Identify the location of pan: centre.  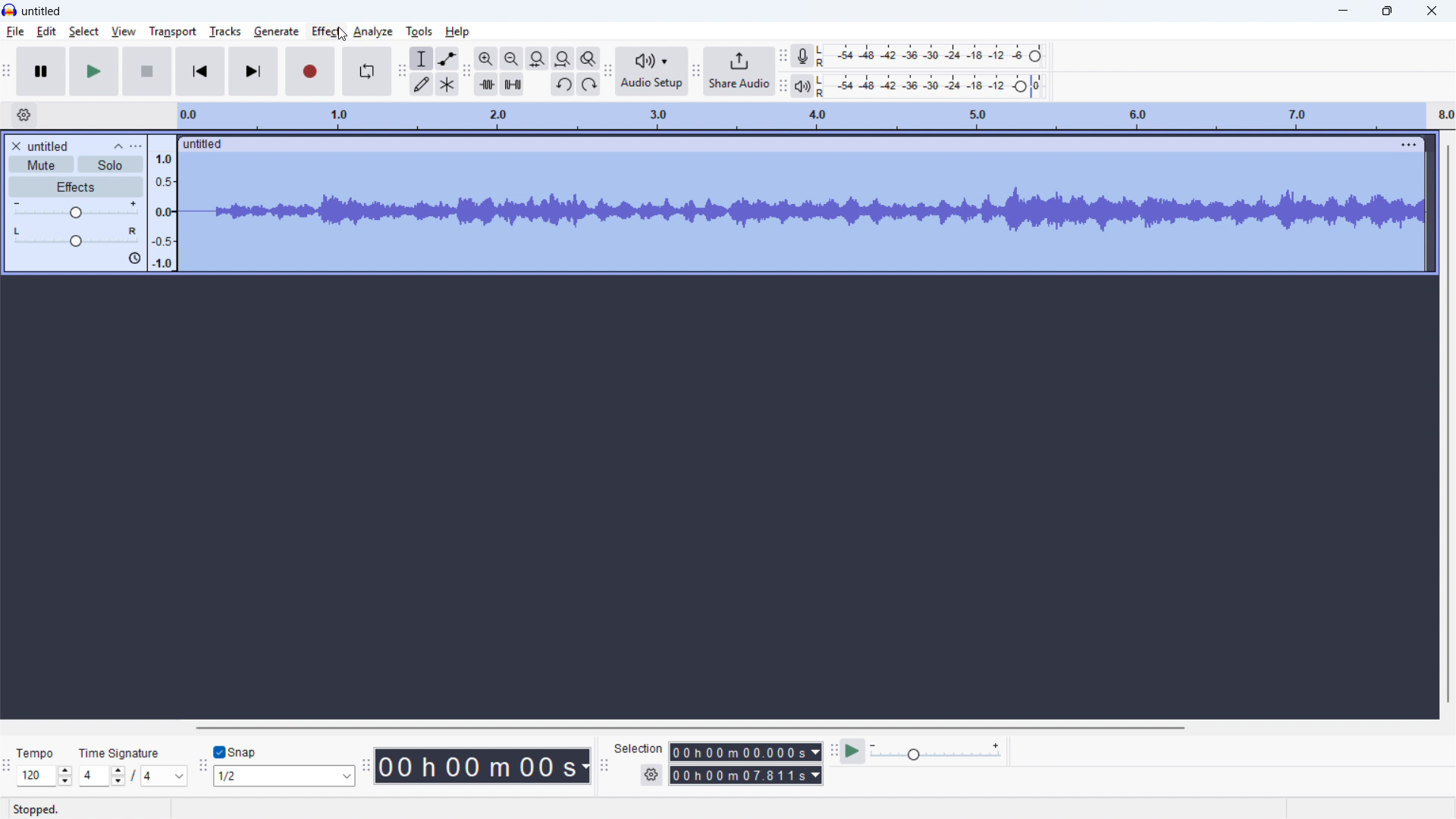
(76, 237).